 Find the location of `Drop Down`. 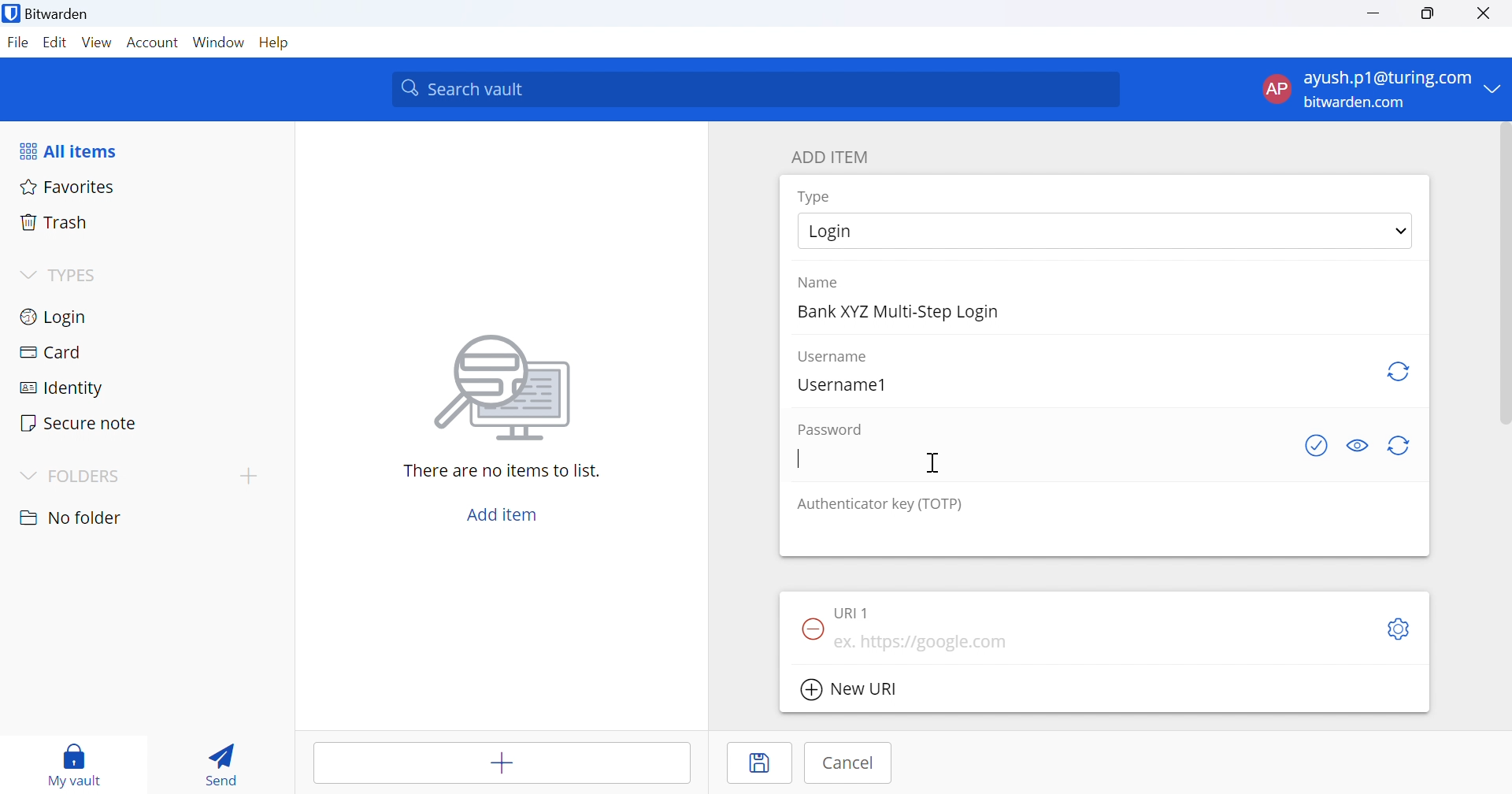

Drop Down is located at coordinates (27, 273).